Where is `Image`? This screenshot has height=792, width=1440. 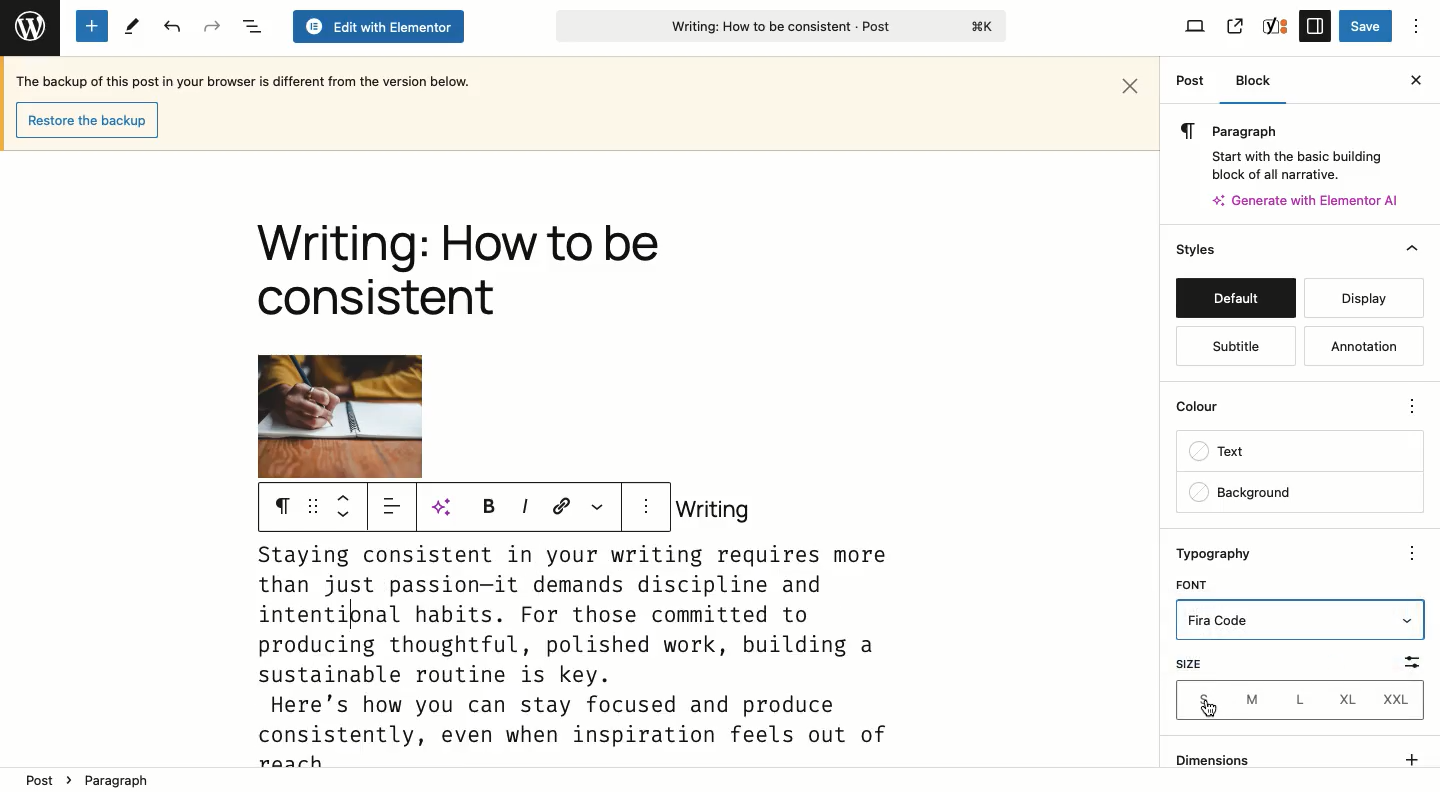
Image is located at coordinates (340, 416).